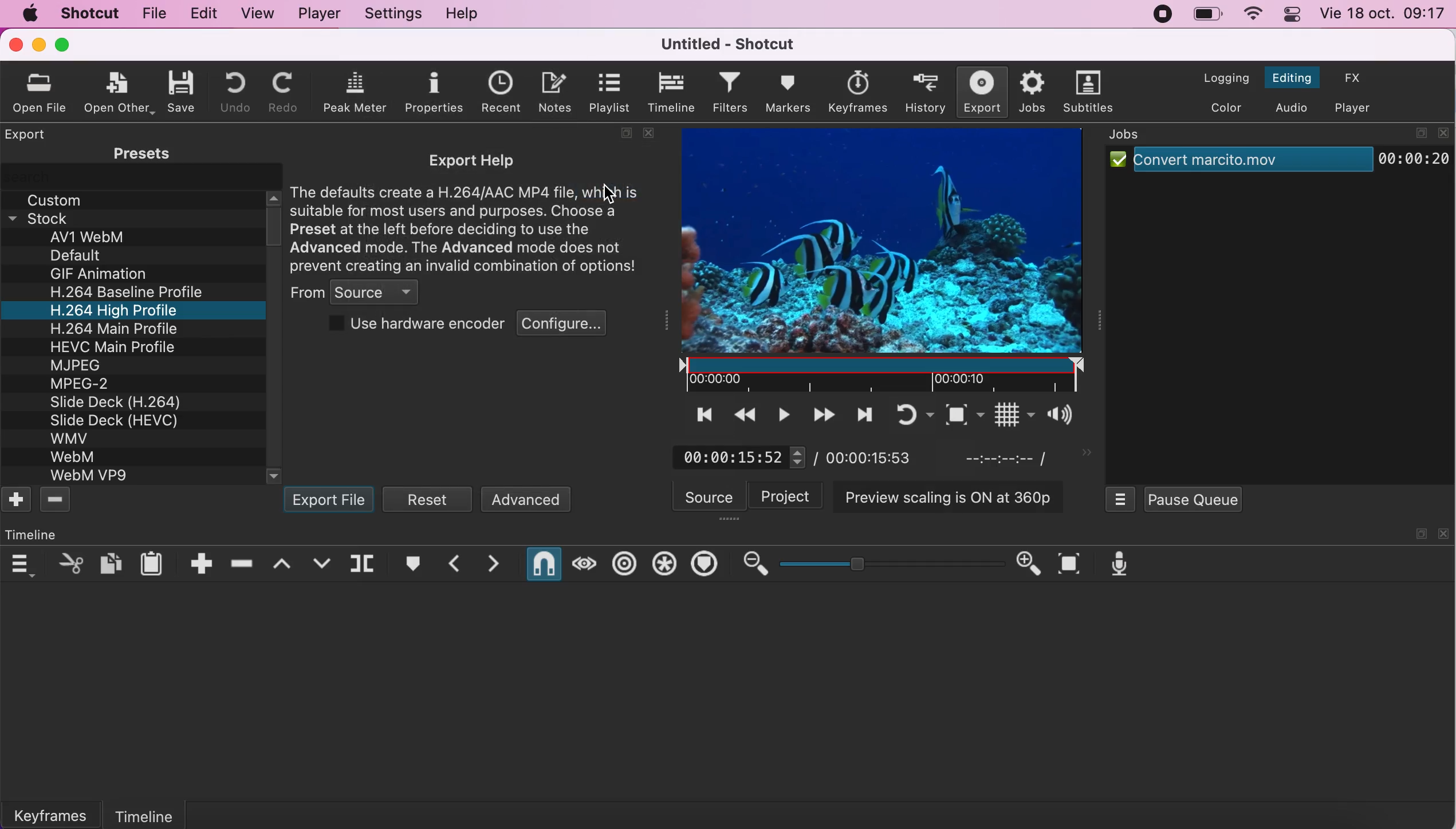 The height and width of the screenshot is (829, 1456). Describe the element at coordinates (698, 414) in the screenshot. I see `skip to the previous point` at that location.